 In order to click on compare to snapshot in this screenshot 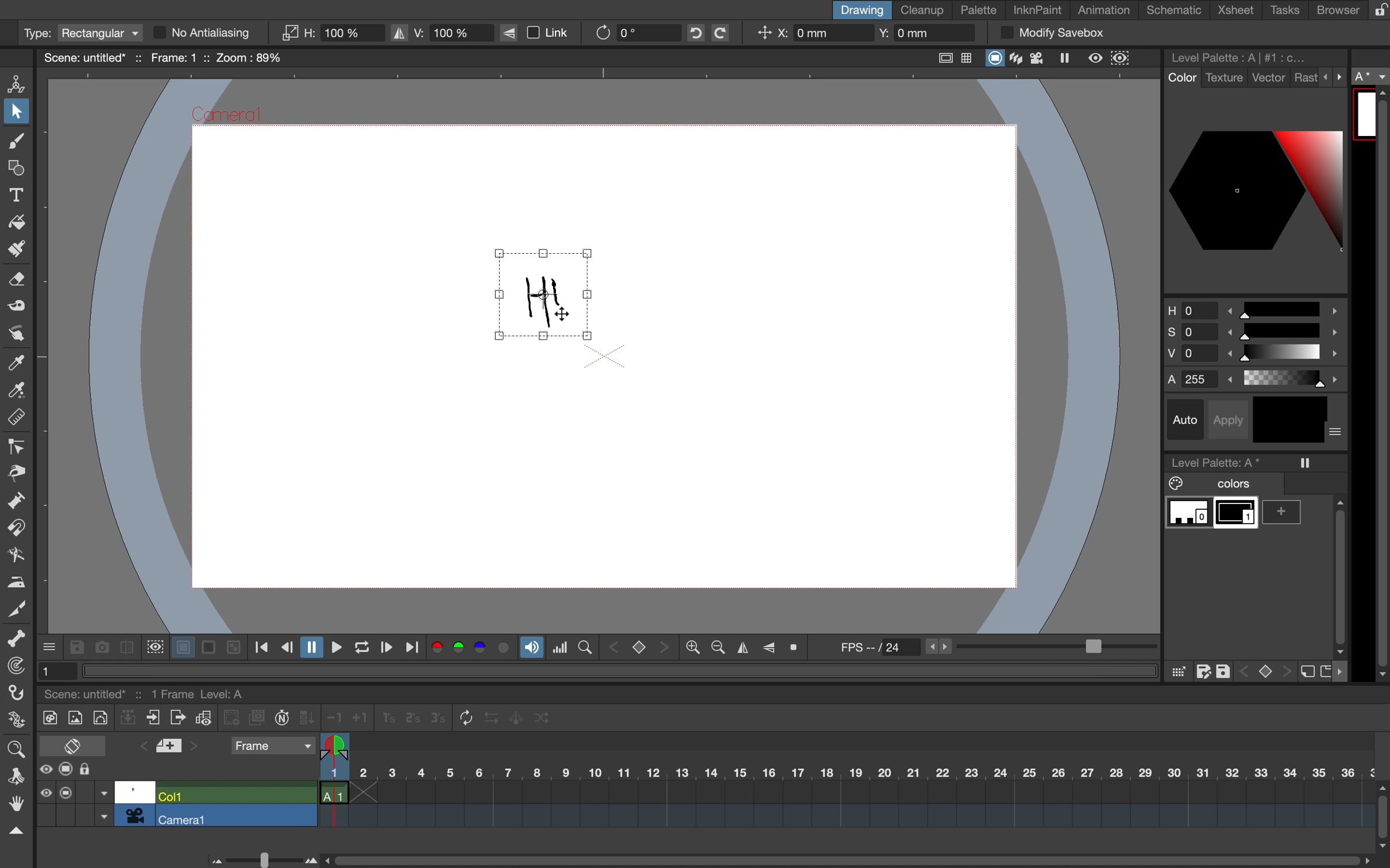, I will do `click(126, 650)`.